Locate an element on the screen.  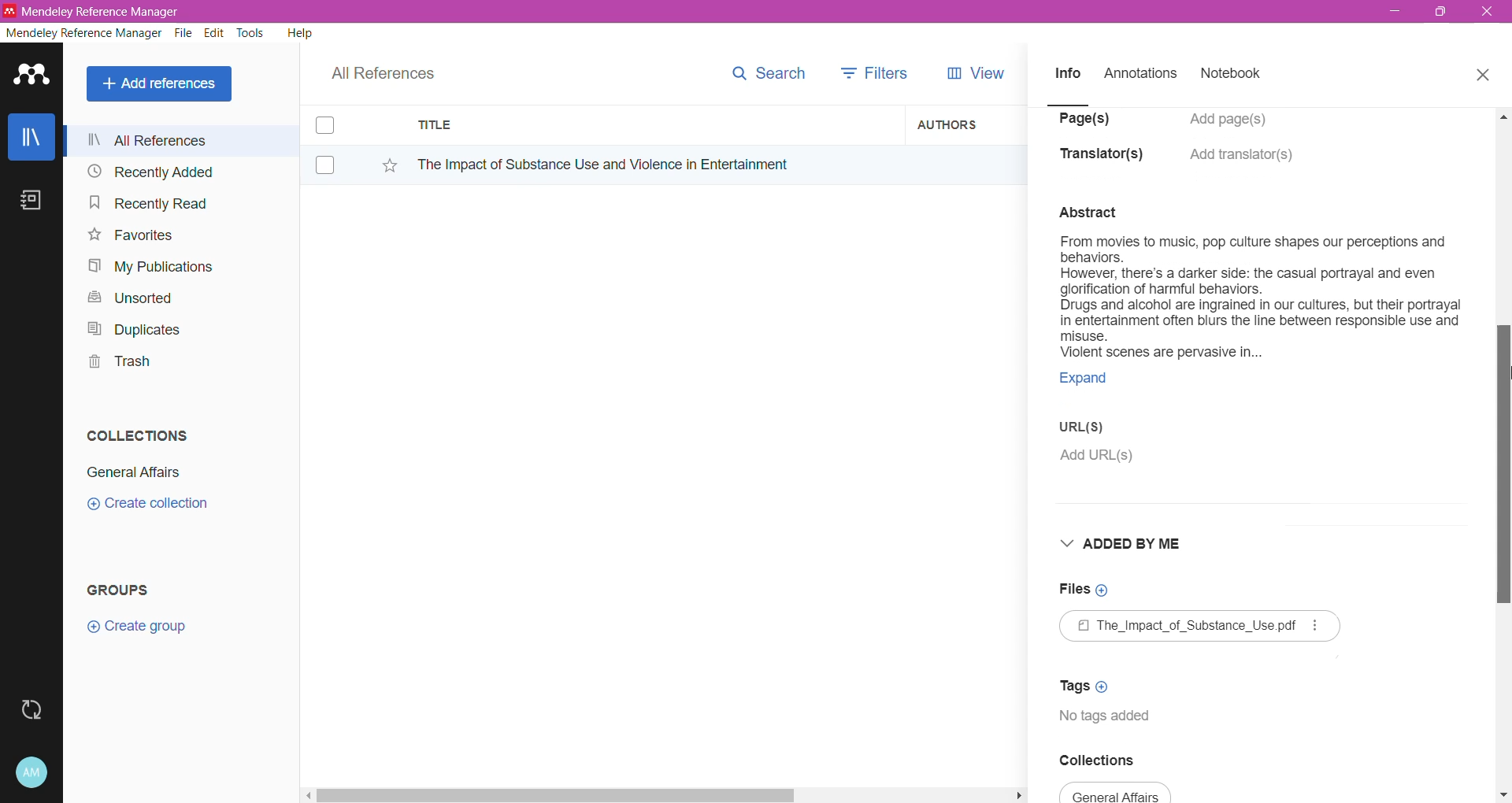
Collections is located at coordinates (1117, 759).